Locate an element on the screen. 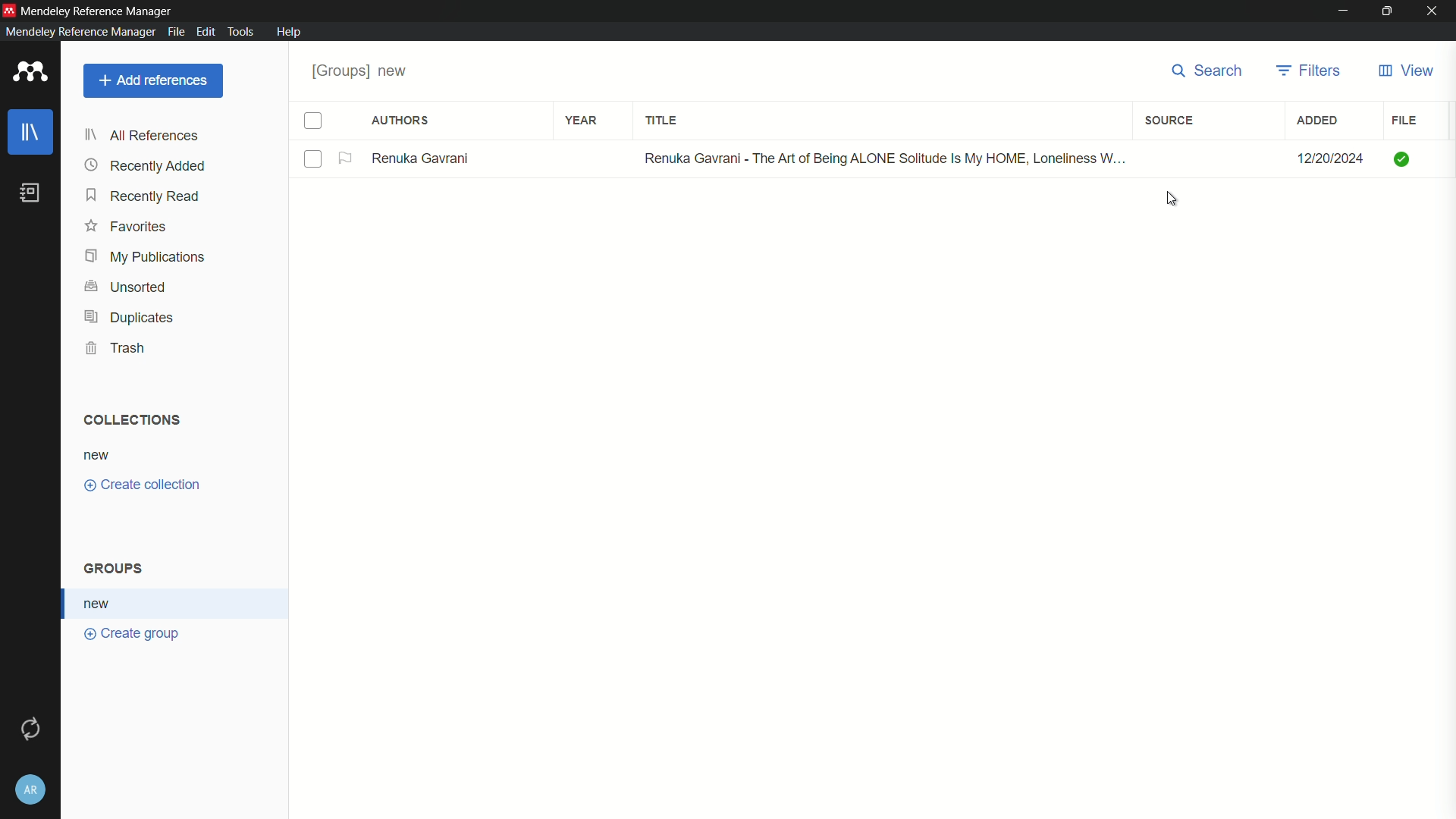 Image resolution: width=1456 pixels, height=819 pixels. groups is located at coordinates (117, 570).